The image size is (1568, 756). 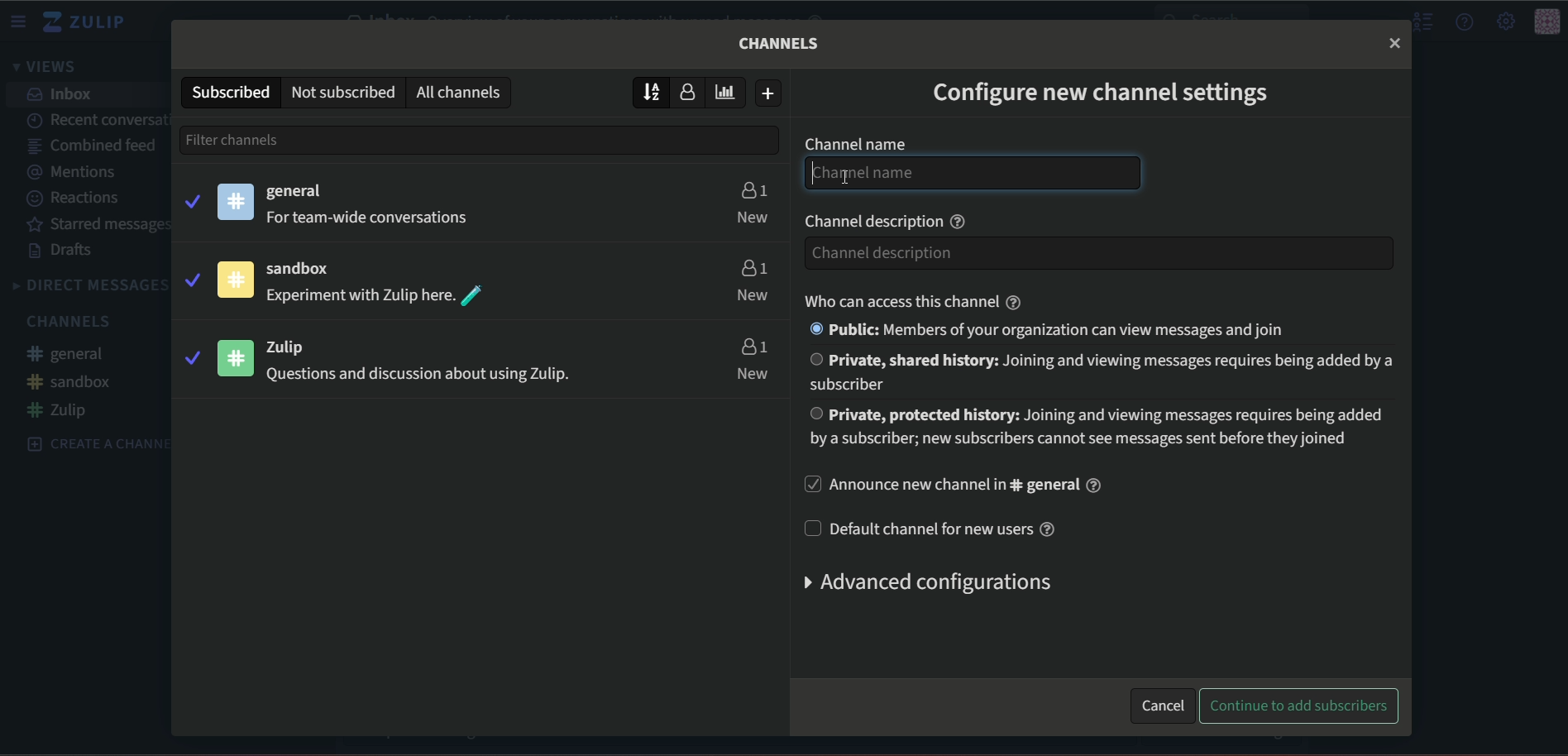 I want to click on users, so click(x=753, y=346).